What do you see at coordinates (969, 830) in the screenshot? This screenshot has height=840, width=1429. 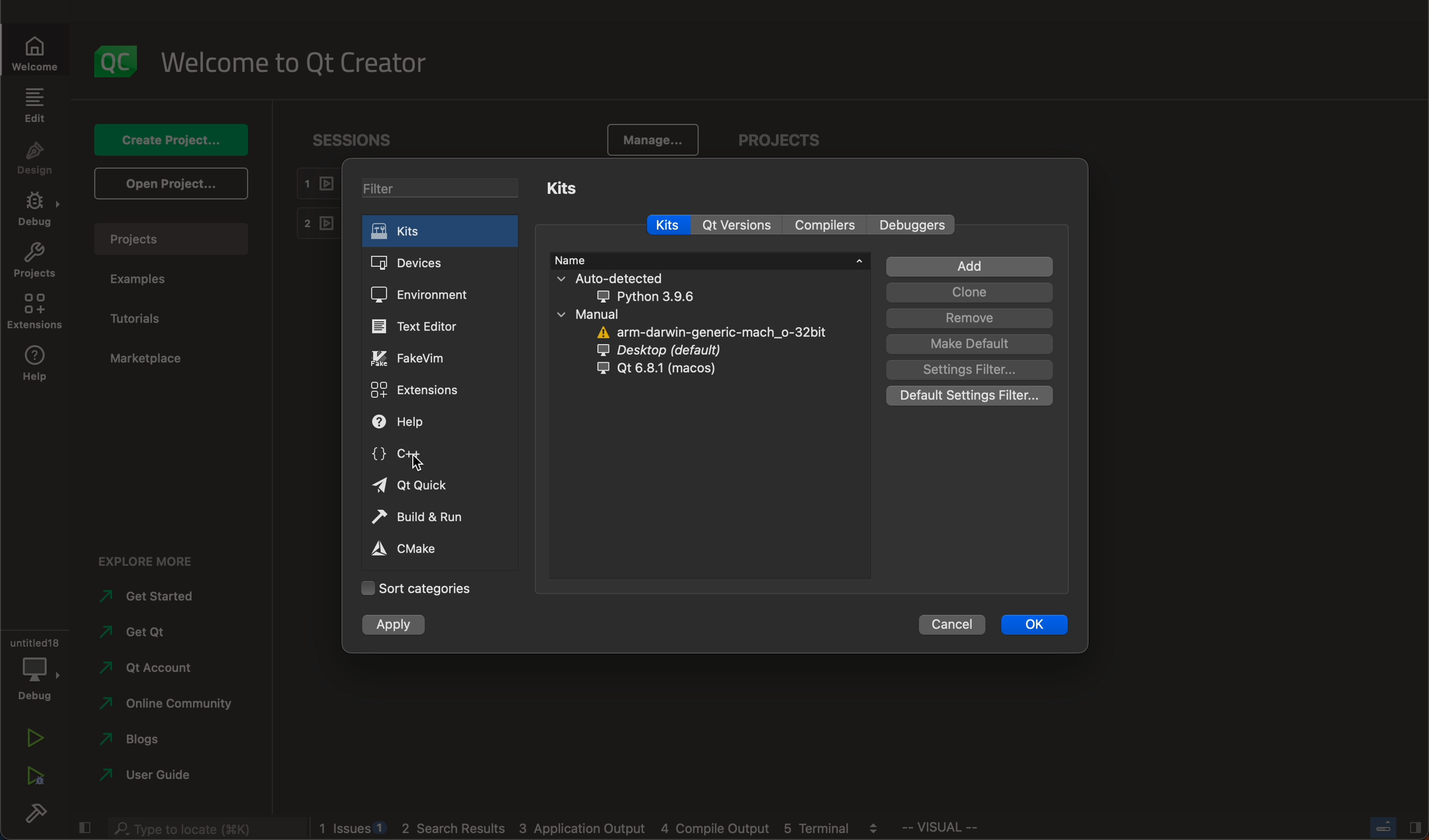 I see `visual` at bounding box center [969, 830].